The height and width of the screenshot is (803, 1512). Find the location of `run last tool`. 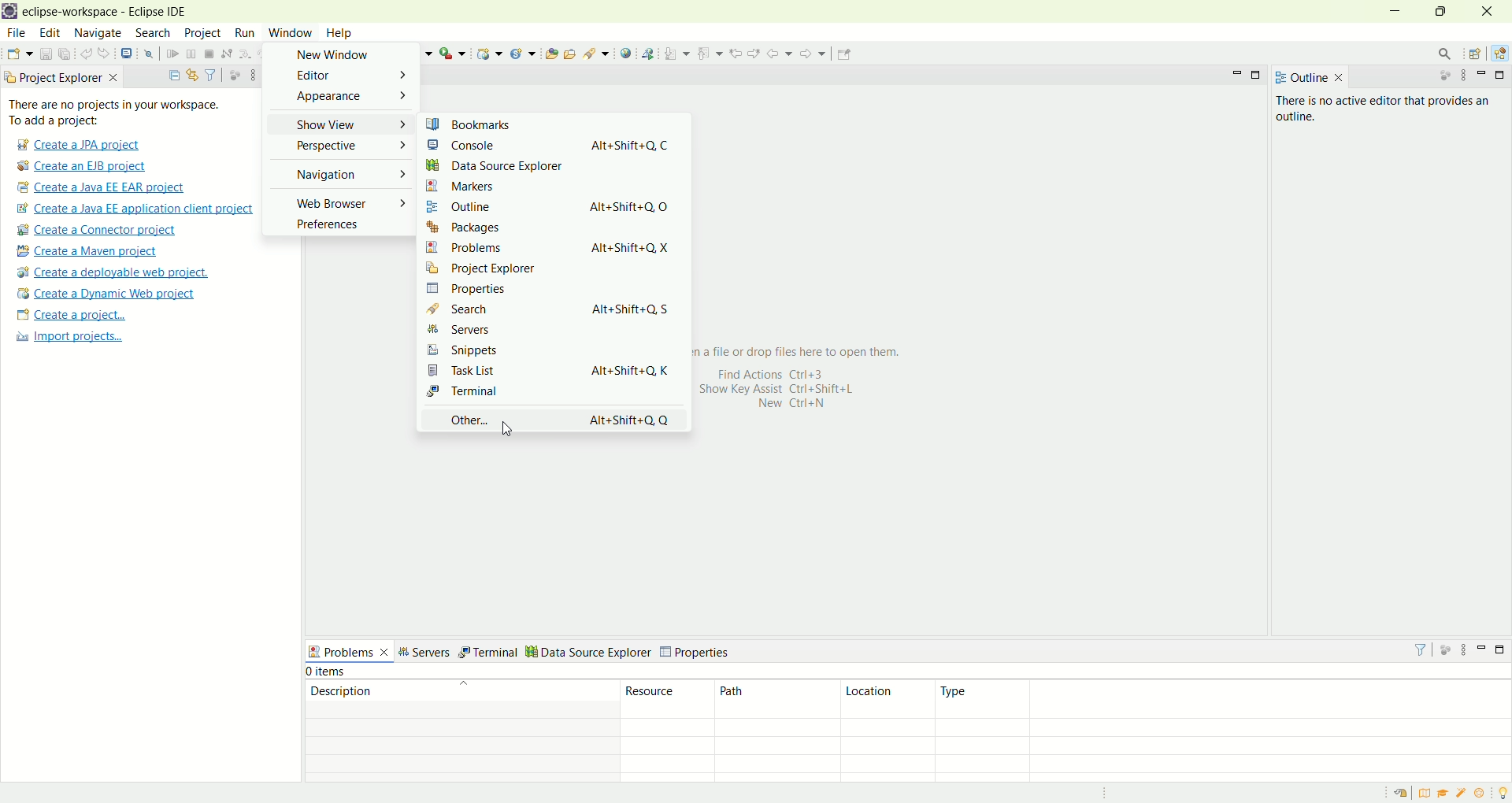

run last tool is located at coordinates (450, 53).